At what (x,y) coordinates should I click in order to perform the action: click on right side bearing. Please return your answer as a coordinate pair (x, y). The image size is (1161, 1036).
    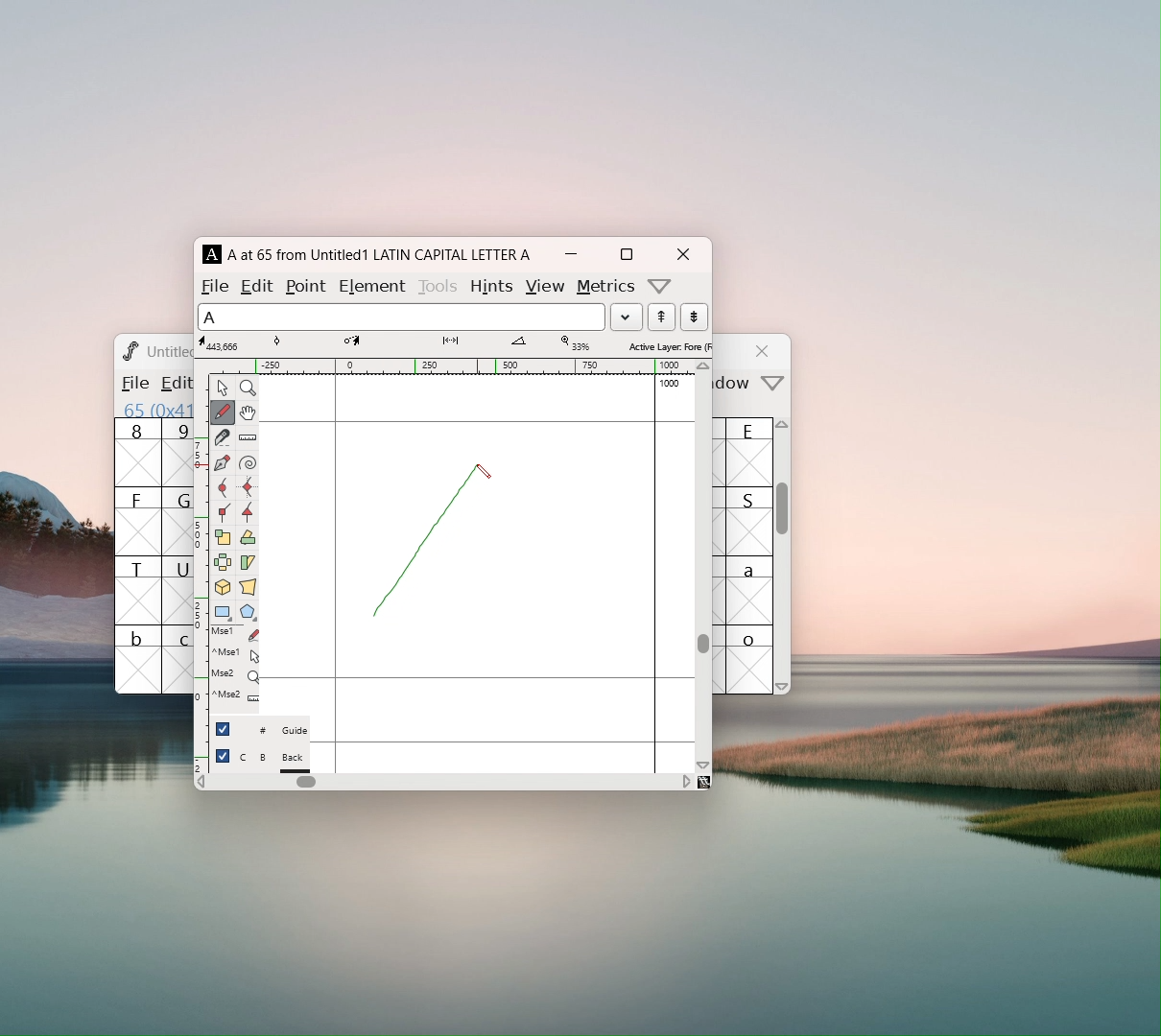
    Looking at the image, I should click on (655, 573).